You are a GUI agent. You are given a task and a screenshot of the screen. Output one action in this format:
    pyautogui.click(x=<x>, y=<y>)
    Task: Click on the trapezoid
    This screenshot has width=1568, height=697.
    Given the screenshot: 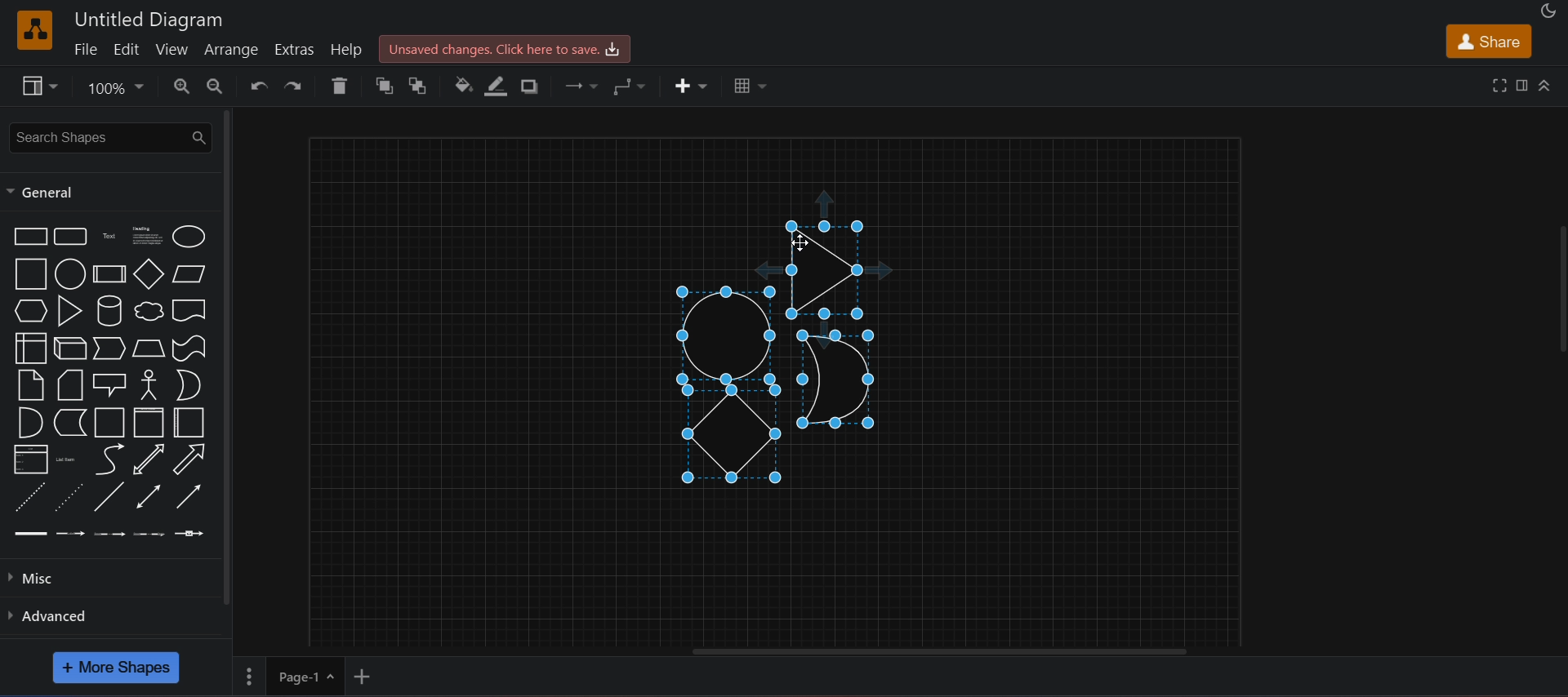 What is the action you would take?
    pyautogui.click(x=146, y=348)
    